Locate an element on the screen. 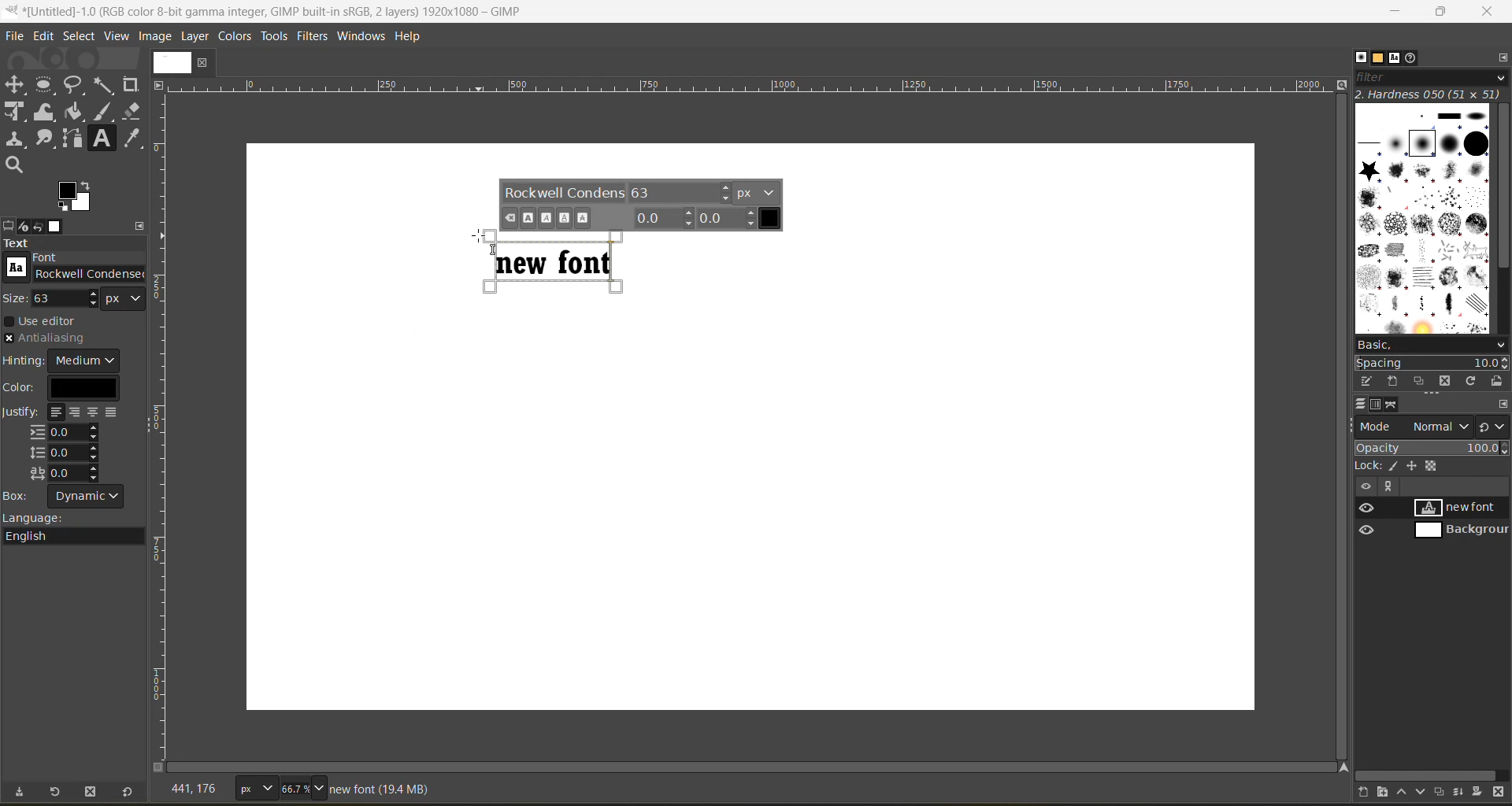  channels is located at coordinates (1380, 405).